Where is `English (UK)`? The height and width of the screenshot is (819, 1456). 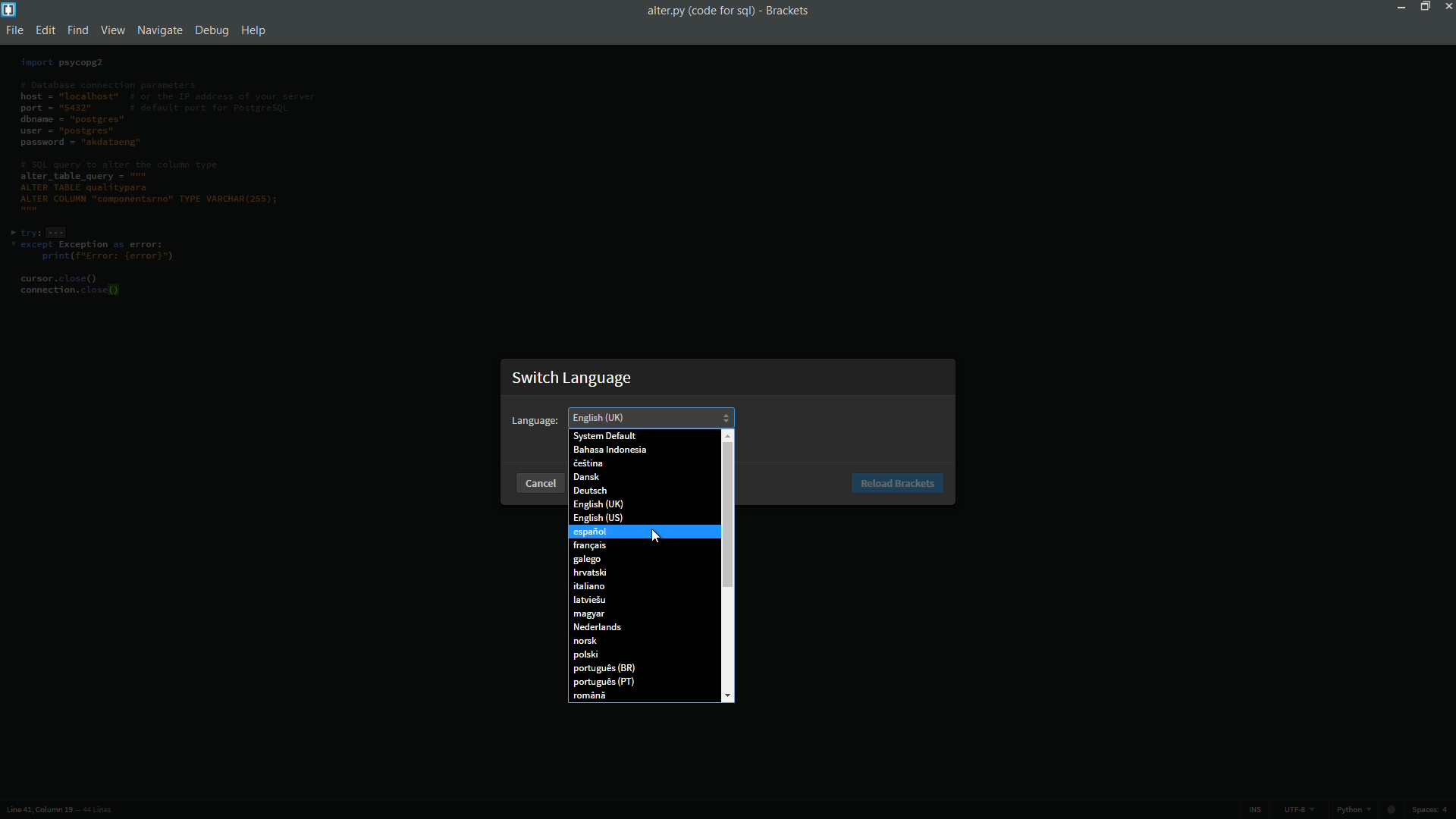
English (UK) is located at coordinates (641, 505).